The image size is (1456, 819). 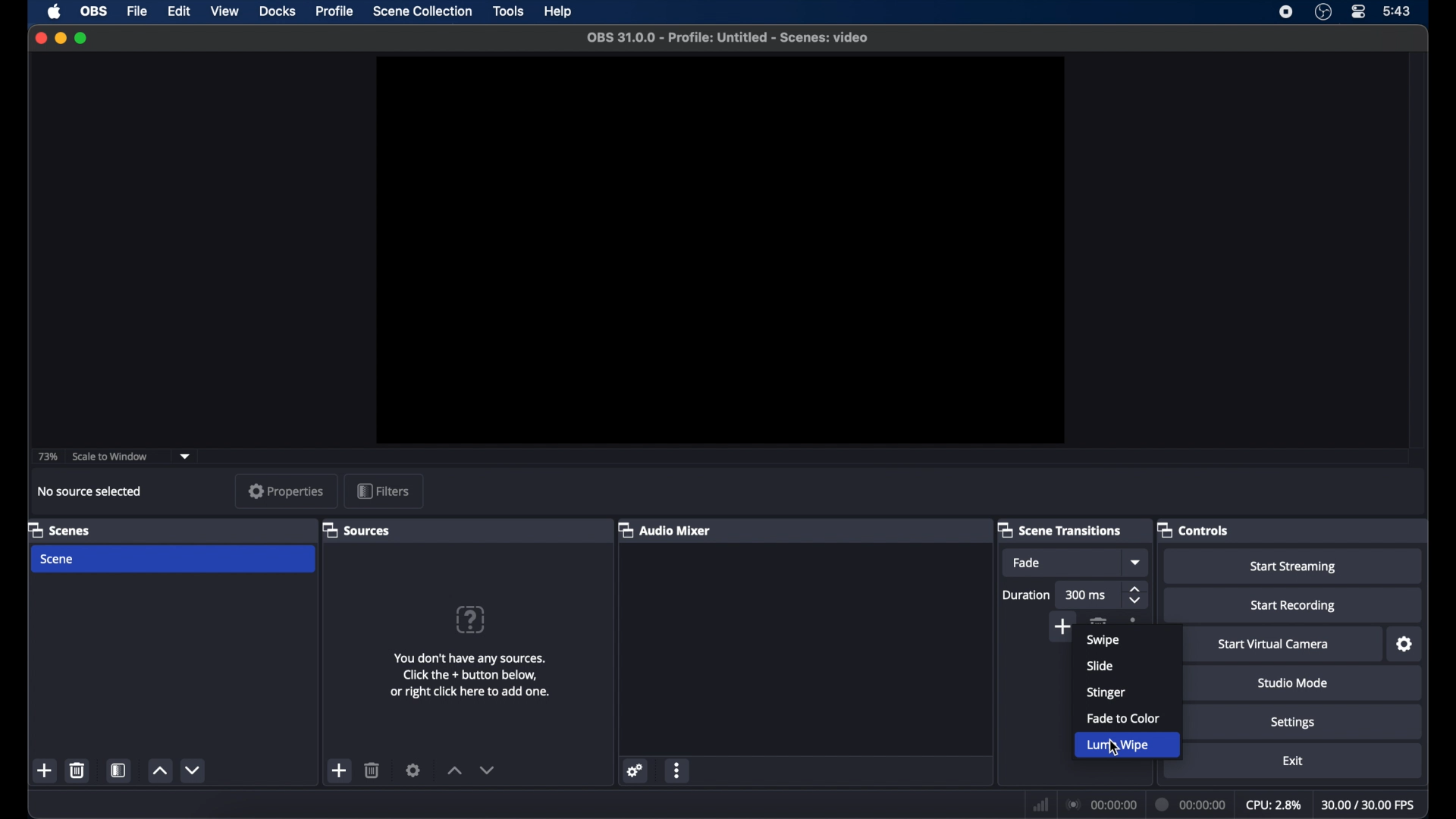 I want to click on start streaming, so click(x=1294, y=566).